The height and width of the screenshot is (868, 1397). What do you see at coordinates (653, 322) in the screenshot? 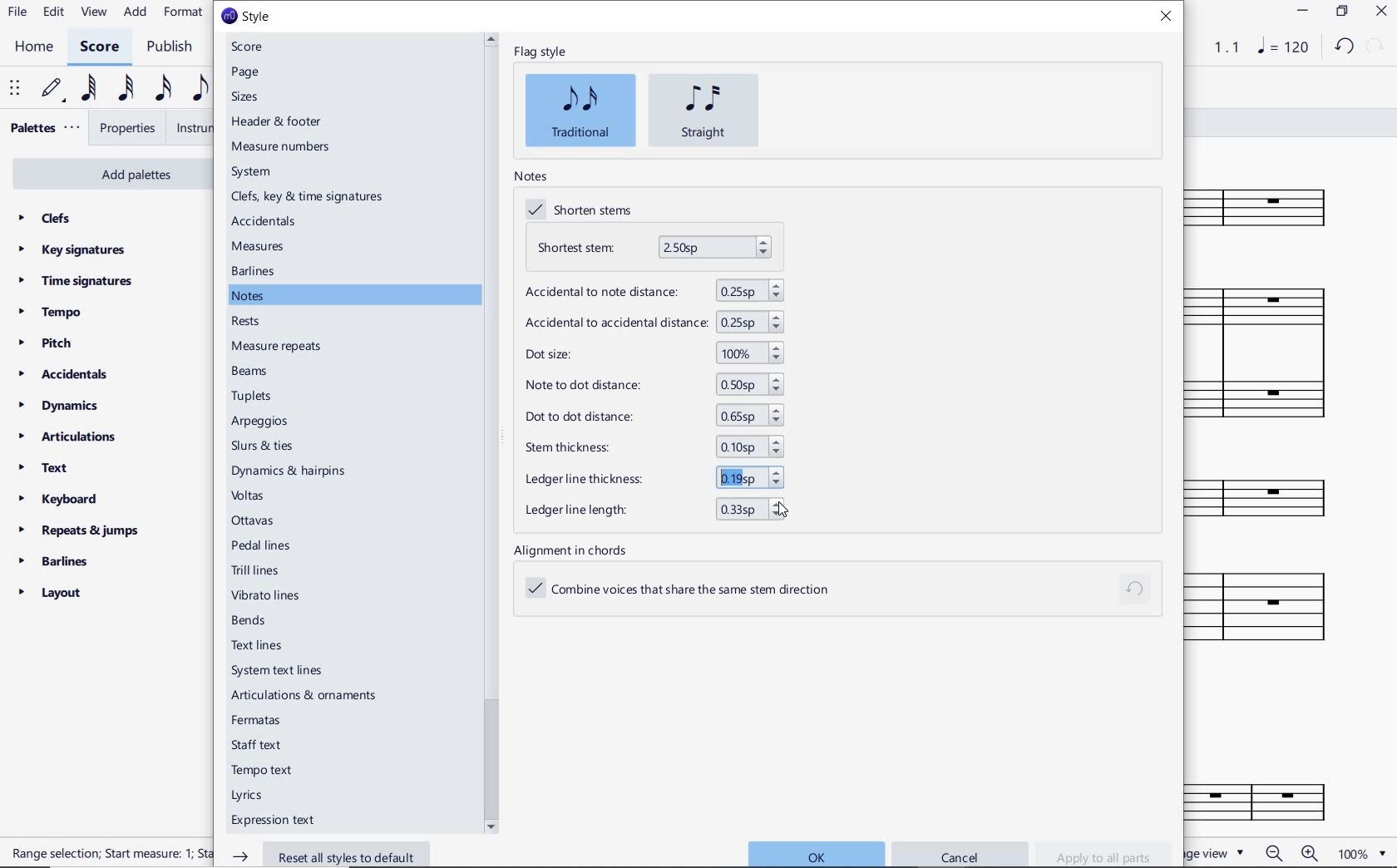
I see `accidental to accidental distance` at bounding box center [653, 322].